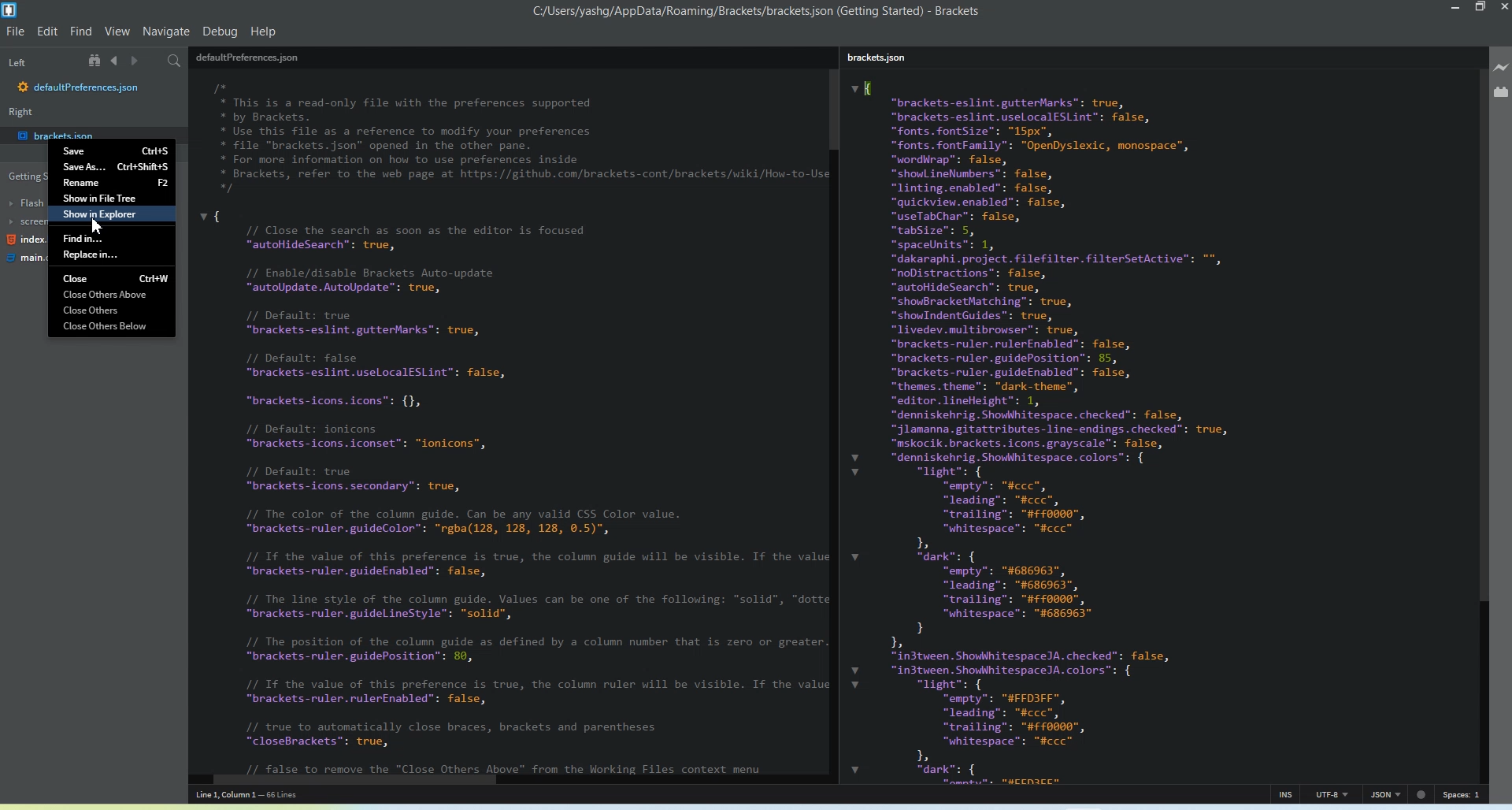 The height and width of the screenshot is (810, 1512). What do you see at coordinates (24, 259) in the screenshot?
I see `main` at bounding box center [24, 259].